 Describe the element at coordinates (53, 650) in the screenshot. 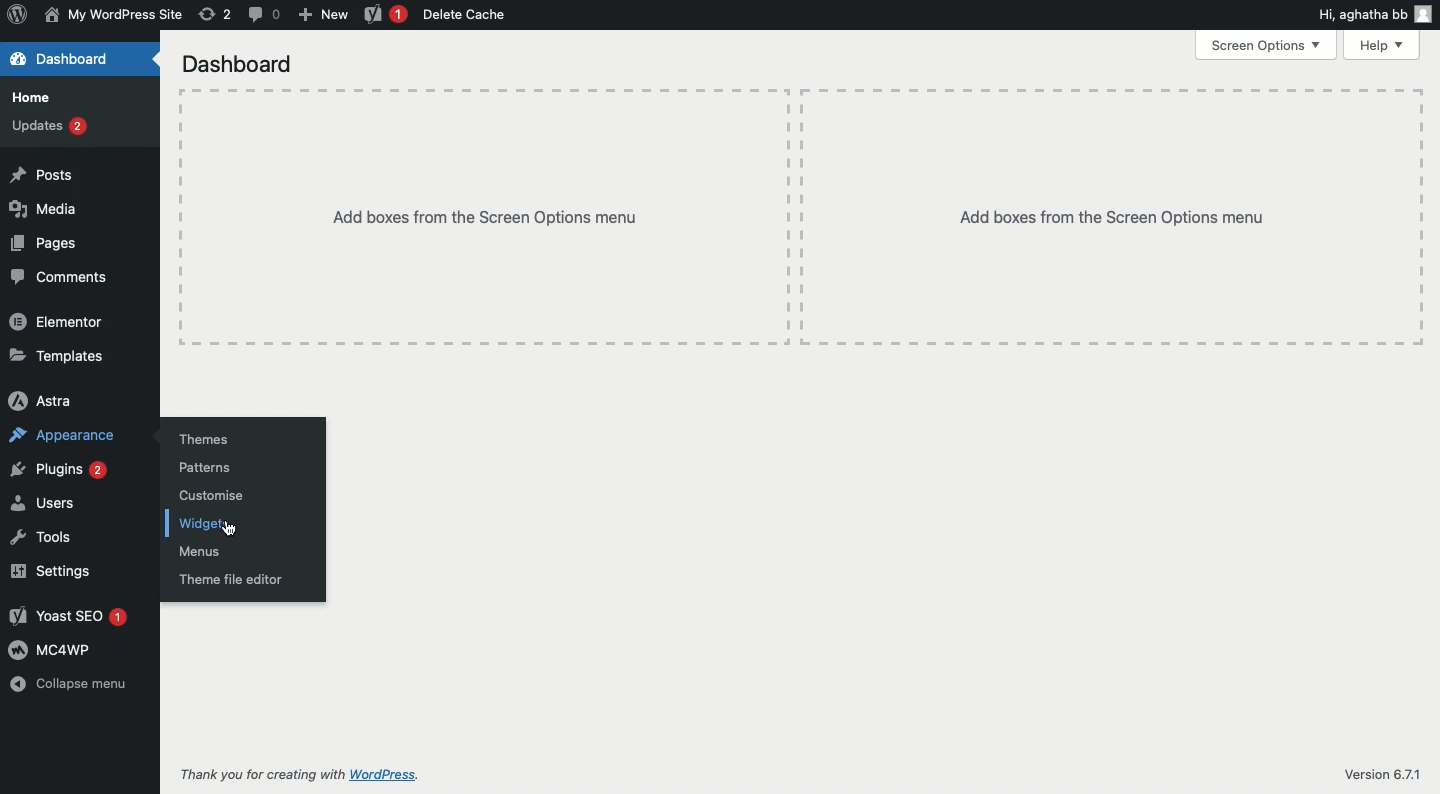

I see `MC4WP` at that location.